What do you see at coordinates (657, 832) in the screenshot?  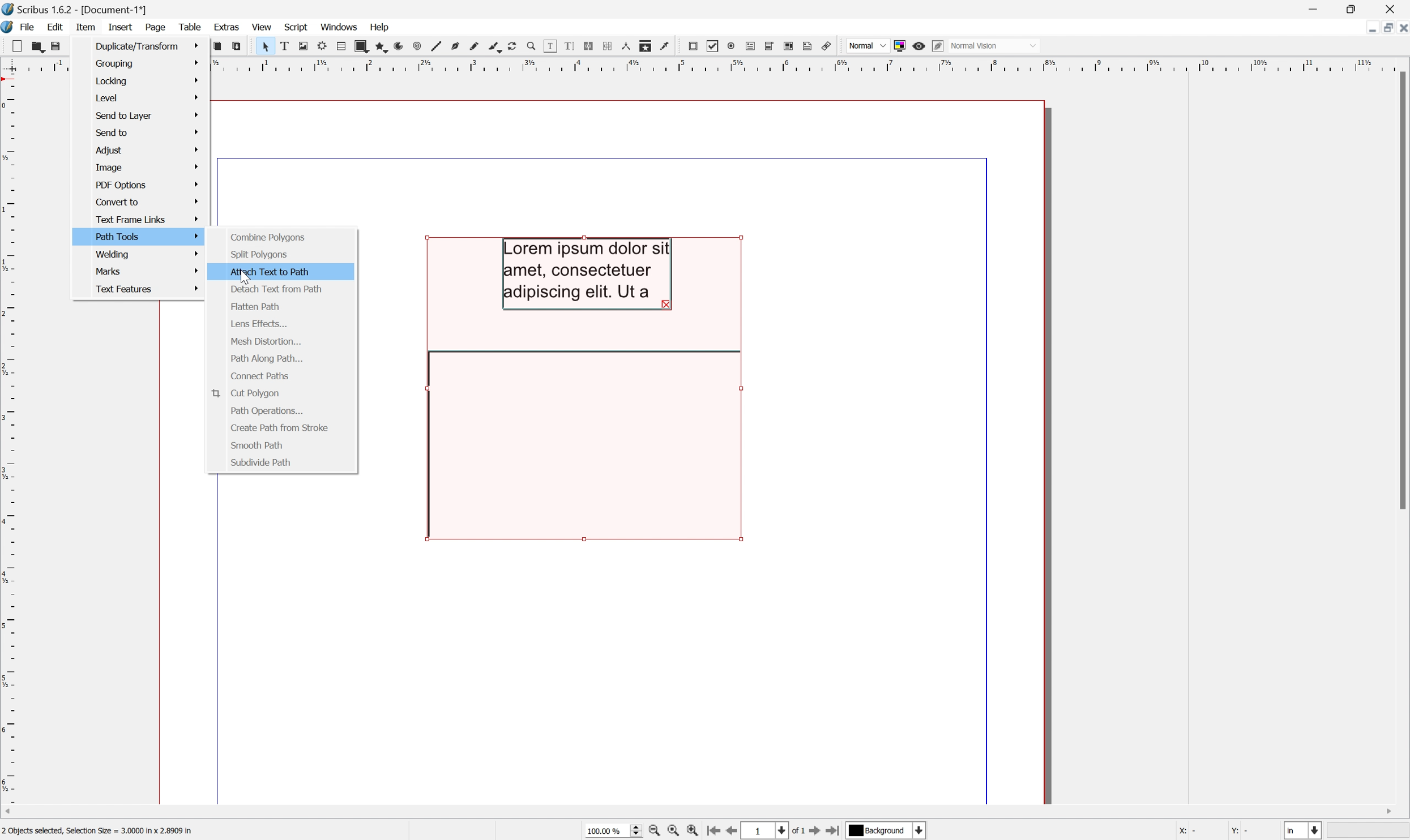 I see `Zoom out by the stepping value` at bounding box center [657, 832].